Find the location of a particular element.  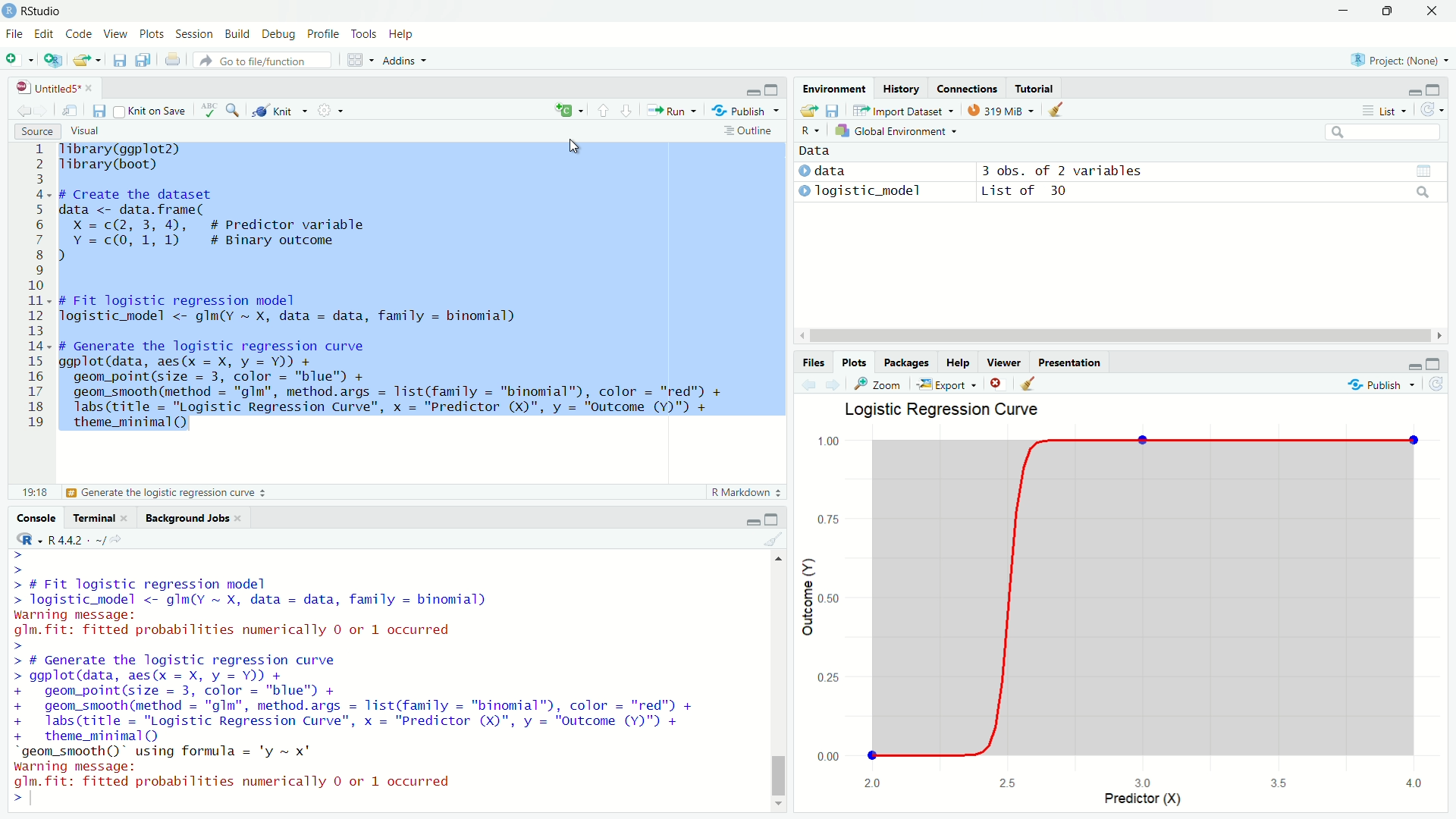

Tools is located at coordinates (362, 33).